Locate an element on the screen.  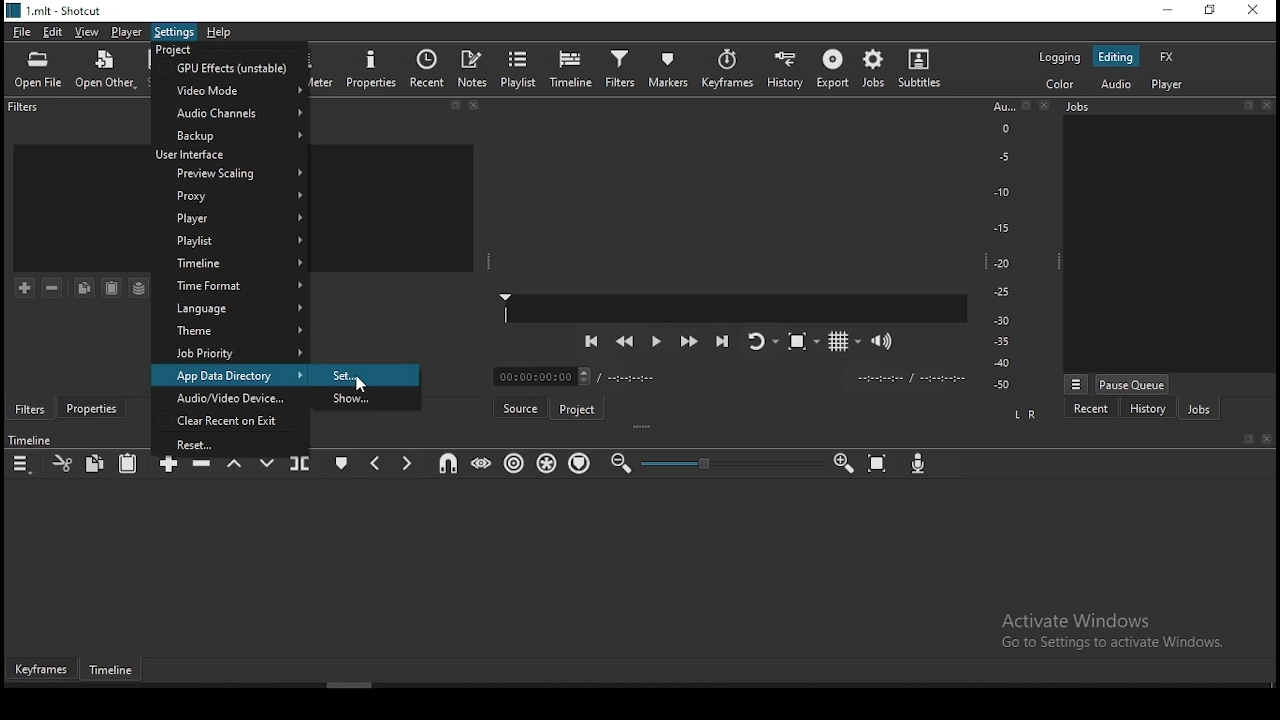
edit is located at coordinates (55, 33).